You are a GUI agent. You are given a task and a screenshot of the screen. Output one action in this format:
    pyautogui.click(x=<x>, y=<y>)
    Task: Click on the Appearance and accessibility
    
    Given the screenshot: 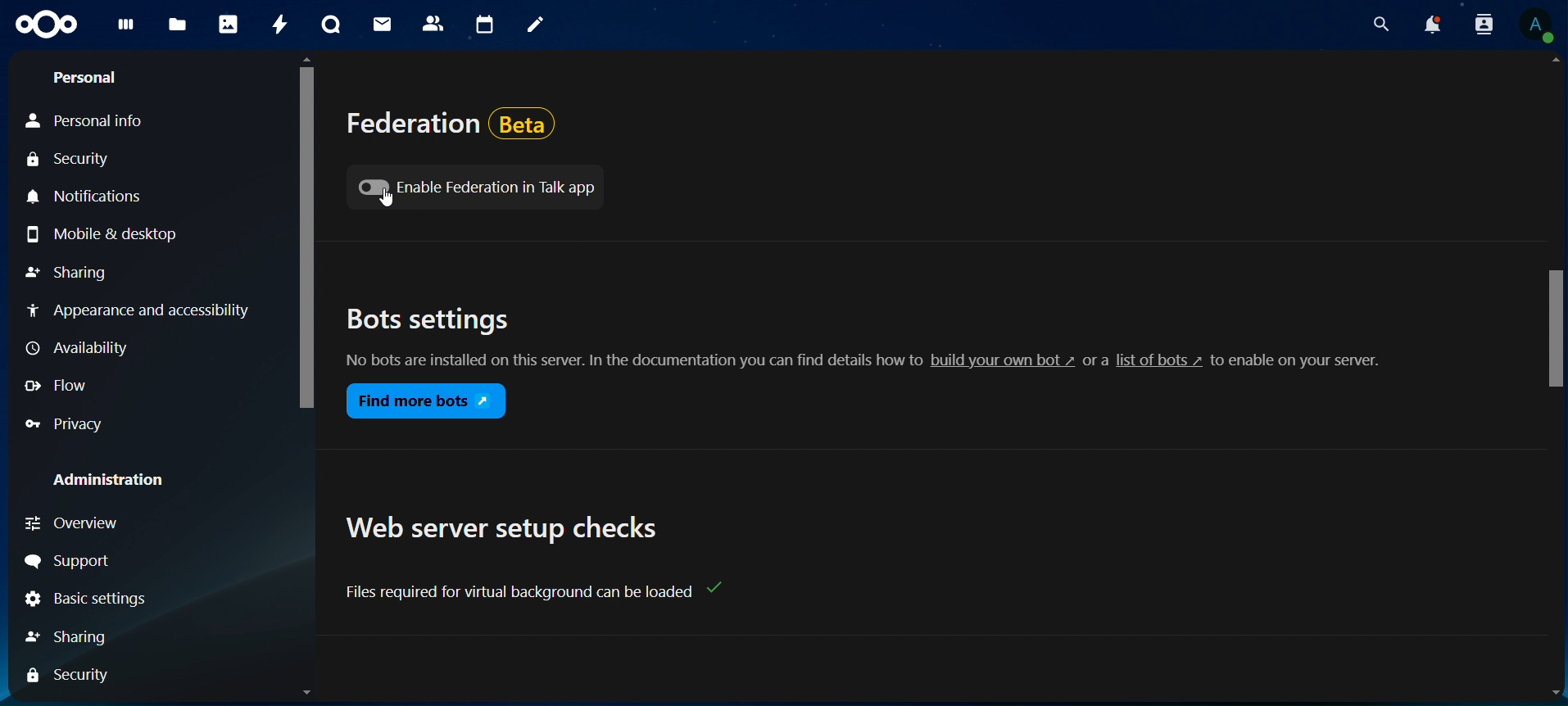 What is the action you would take?
    pyautogui.click(x=152, y=310)
    